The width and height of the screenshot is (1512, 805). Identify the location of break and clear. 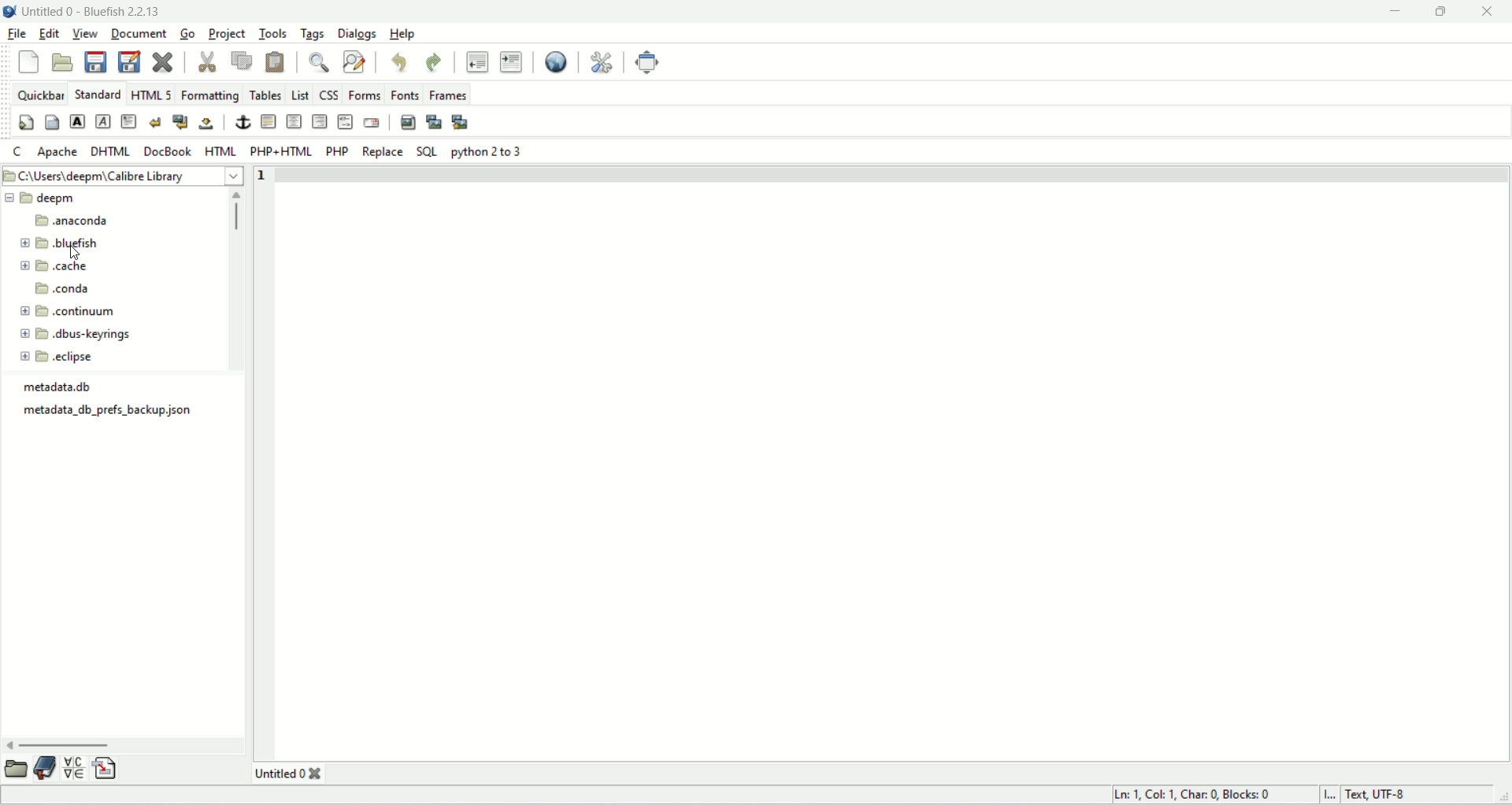
(182, 122).